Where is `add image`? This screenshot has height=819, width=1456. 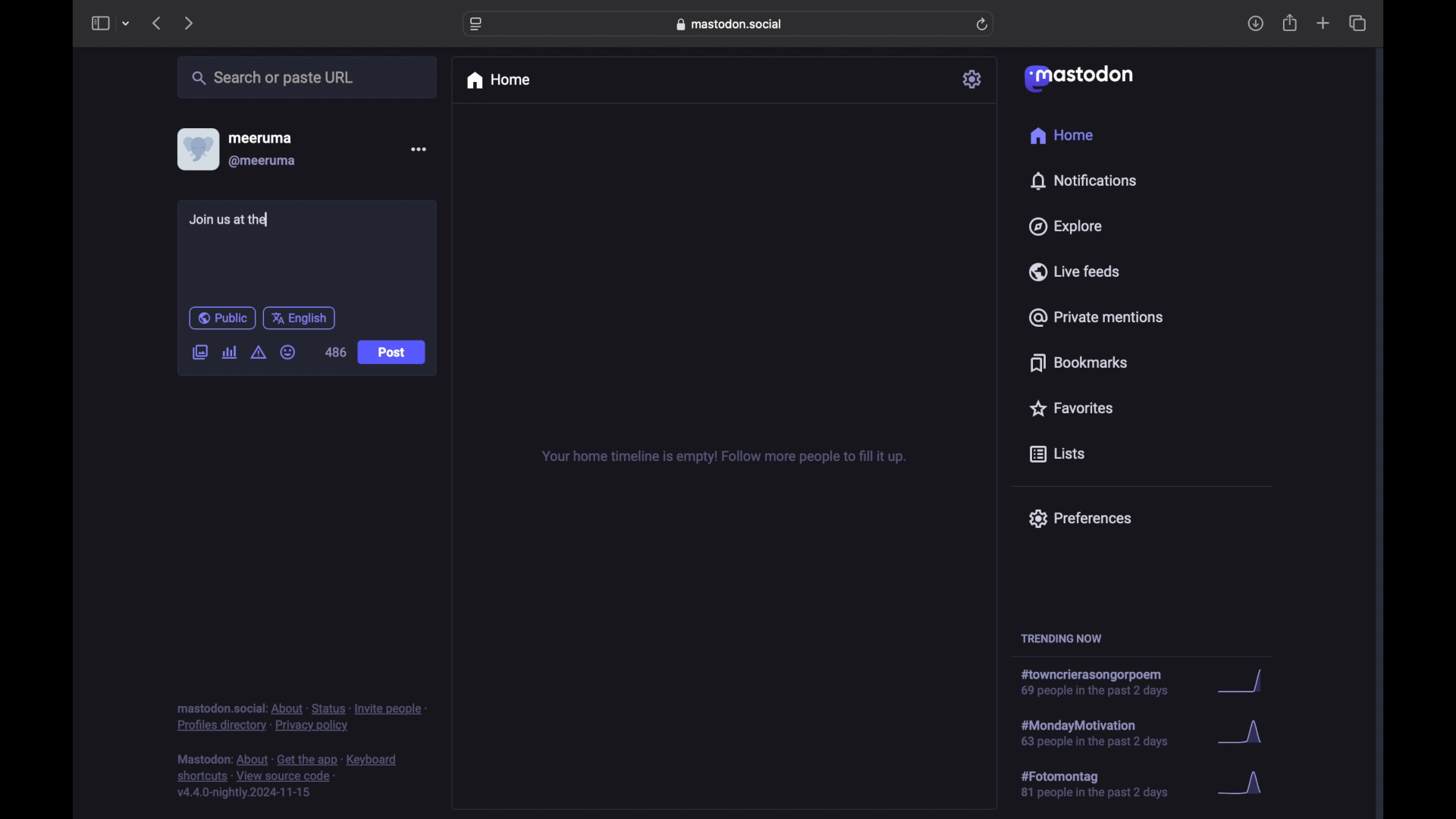
add image is located at coordinates (199, 353).